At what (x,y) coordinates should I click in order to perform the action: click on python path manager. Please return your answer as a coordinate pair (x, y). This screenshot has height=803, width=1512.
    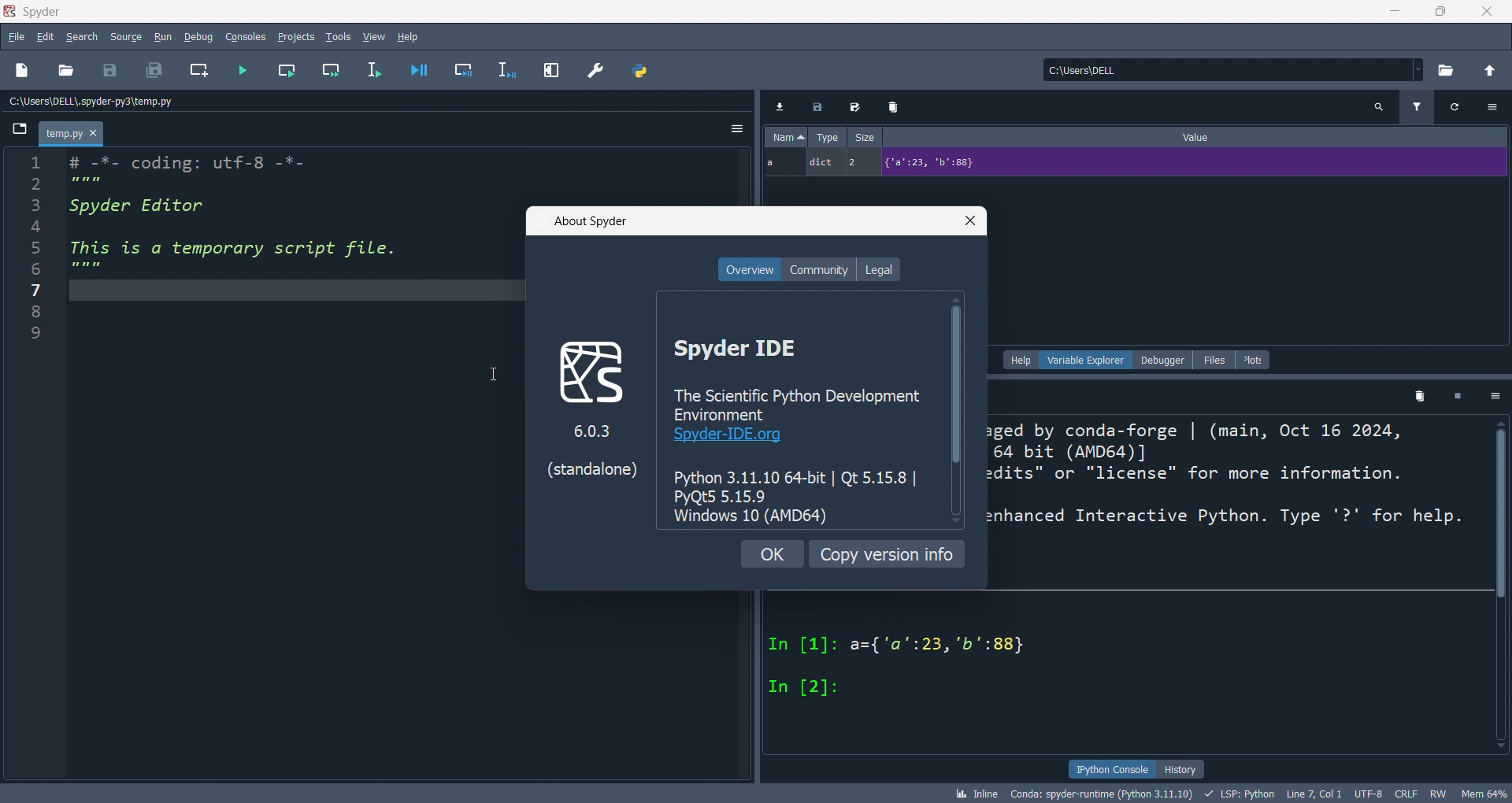
    Looking at the image, I should click on (643, 69).